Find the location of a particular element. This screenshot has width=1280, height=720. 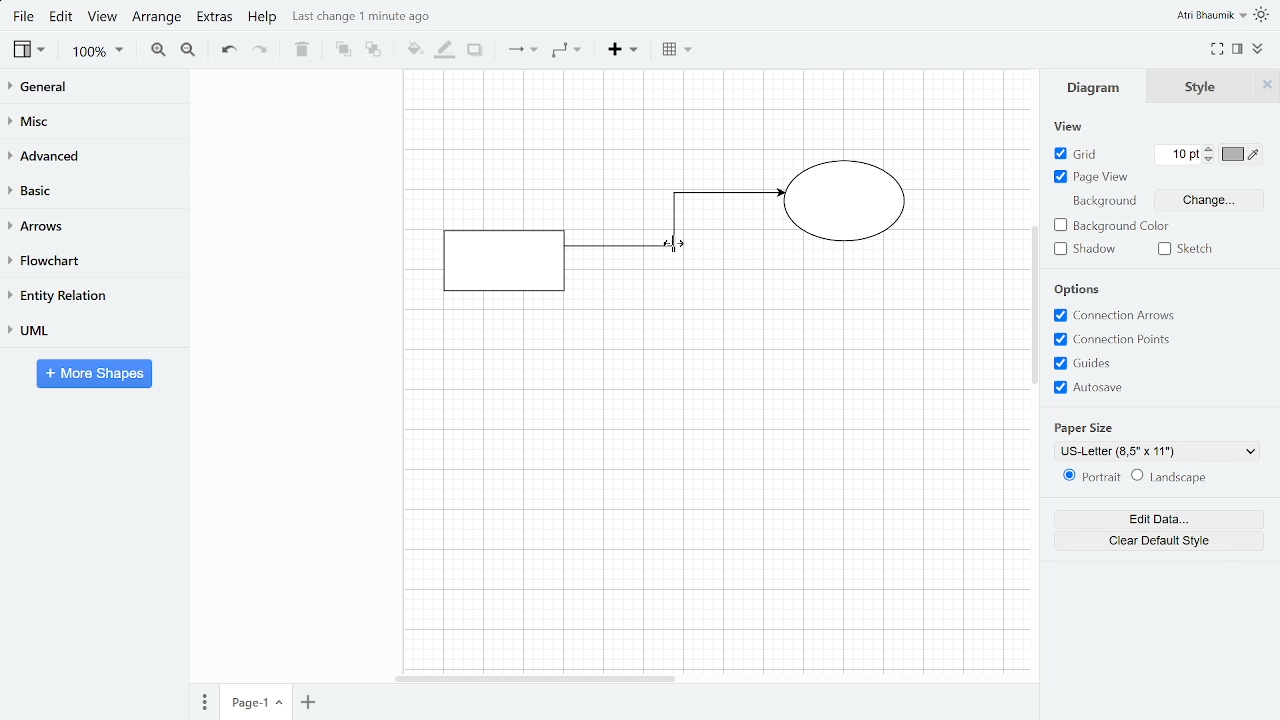

Insert is located at coordinates (625, 52).